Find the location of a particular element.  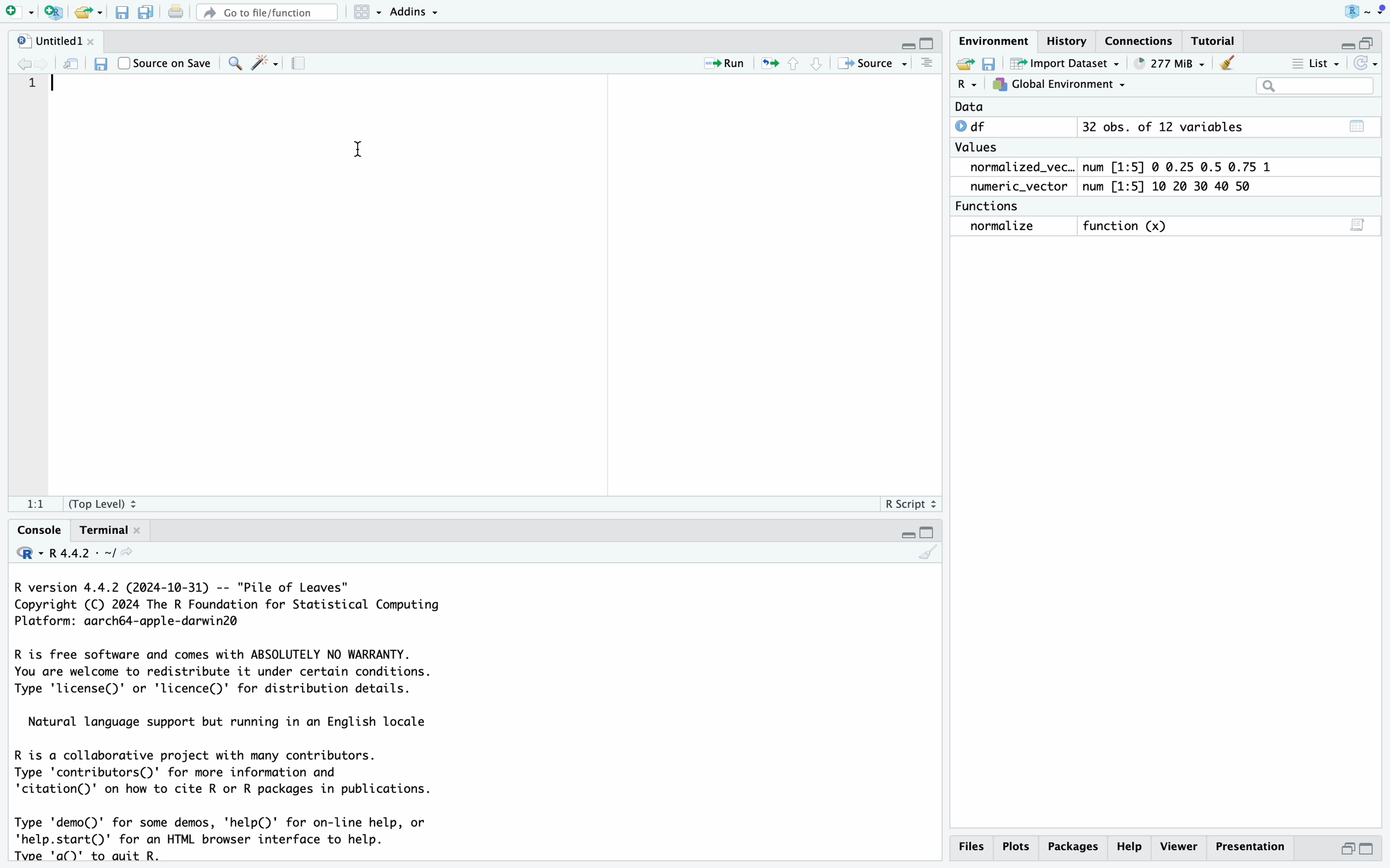

Environment is located at coordinates (993, 42).